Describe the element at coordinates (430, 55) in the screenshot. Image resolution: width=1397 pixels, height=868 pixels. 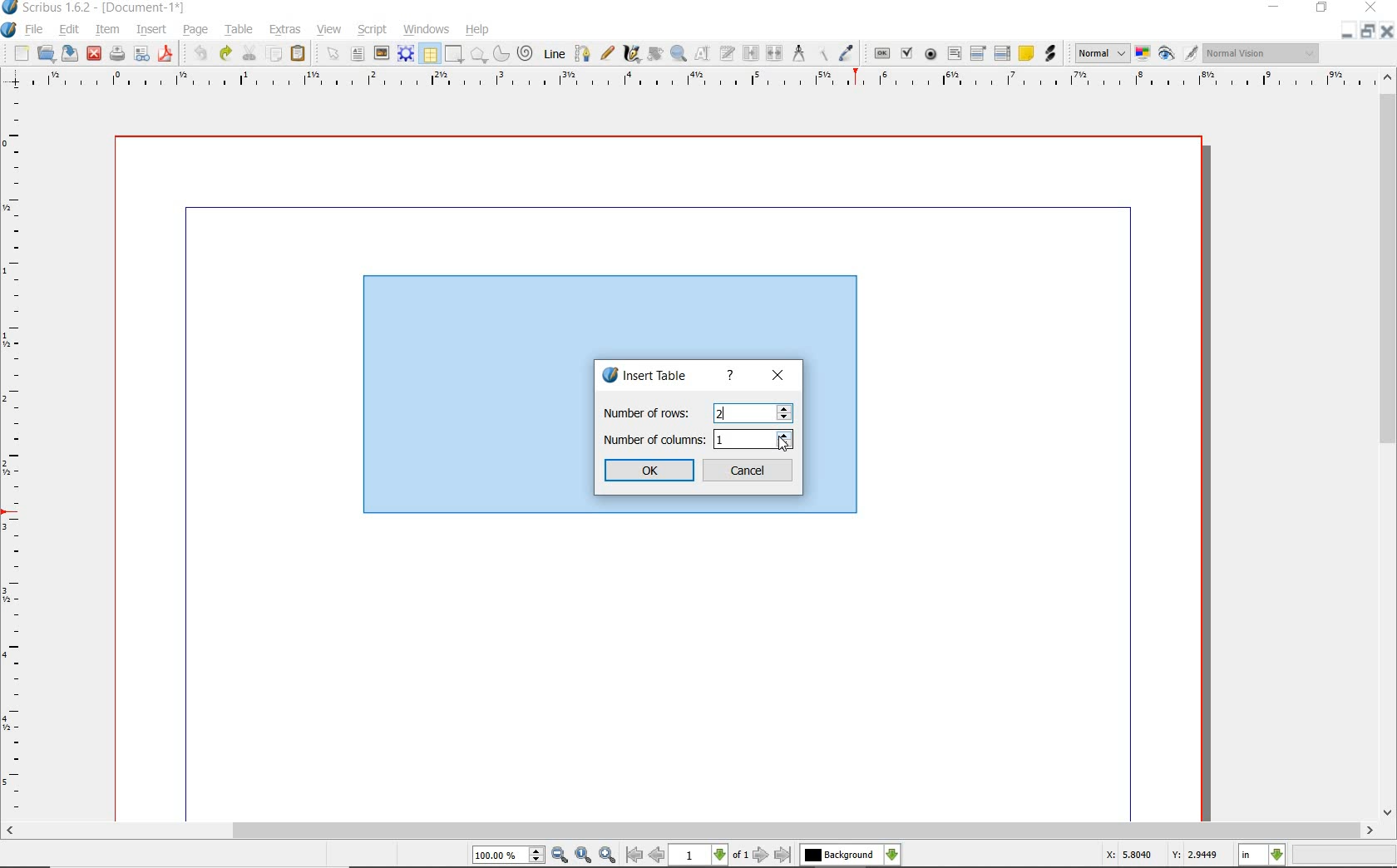
I see `table` at that location.